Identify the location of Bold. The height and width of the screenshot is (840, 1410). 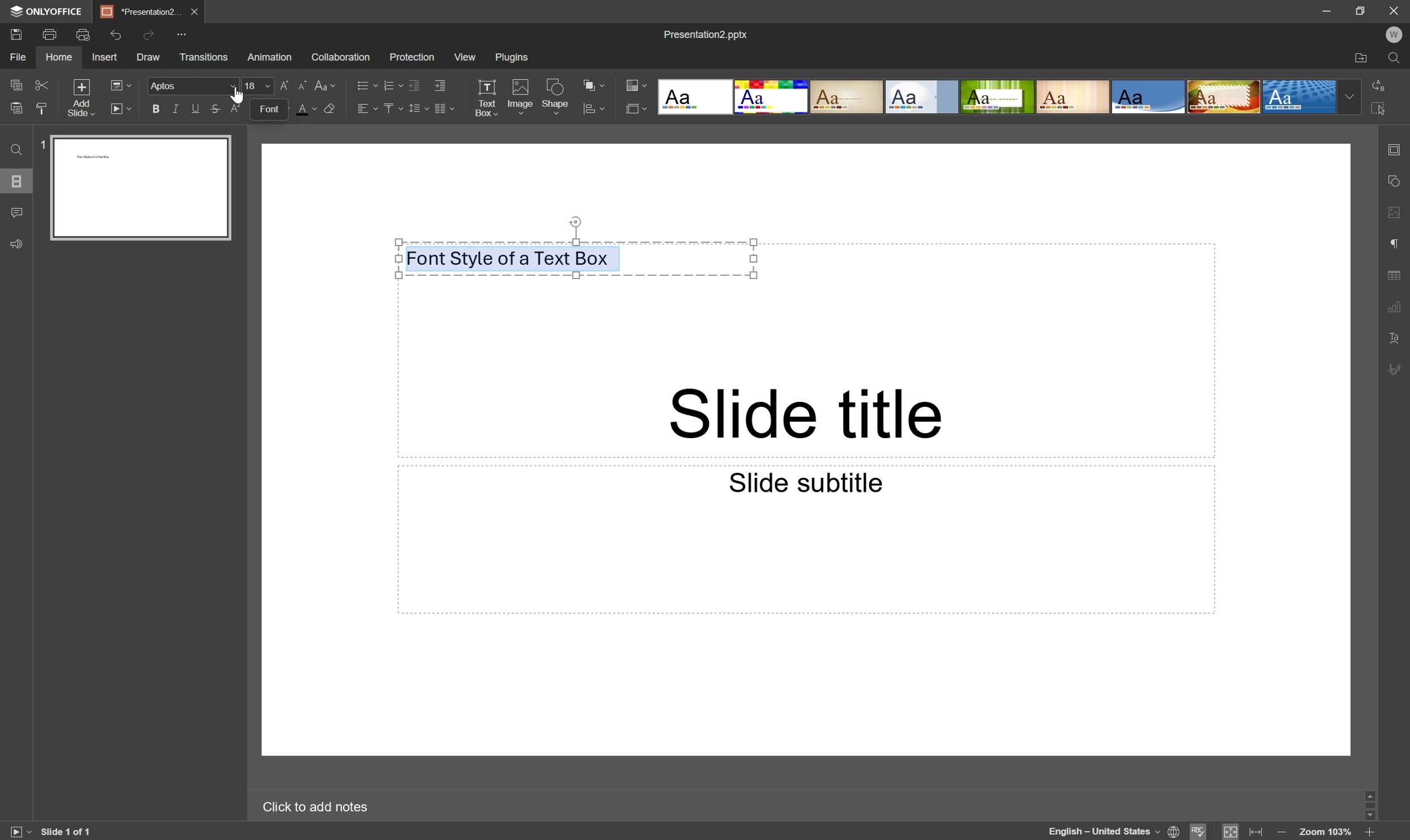
(156, 110).